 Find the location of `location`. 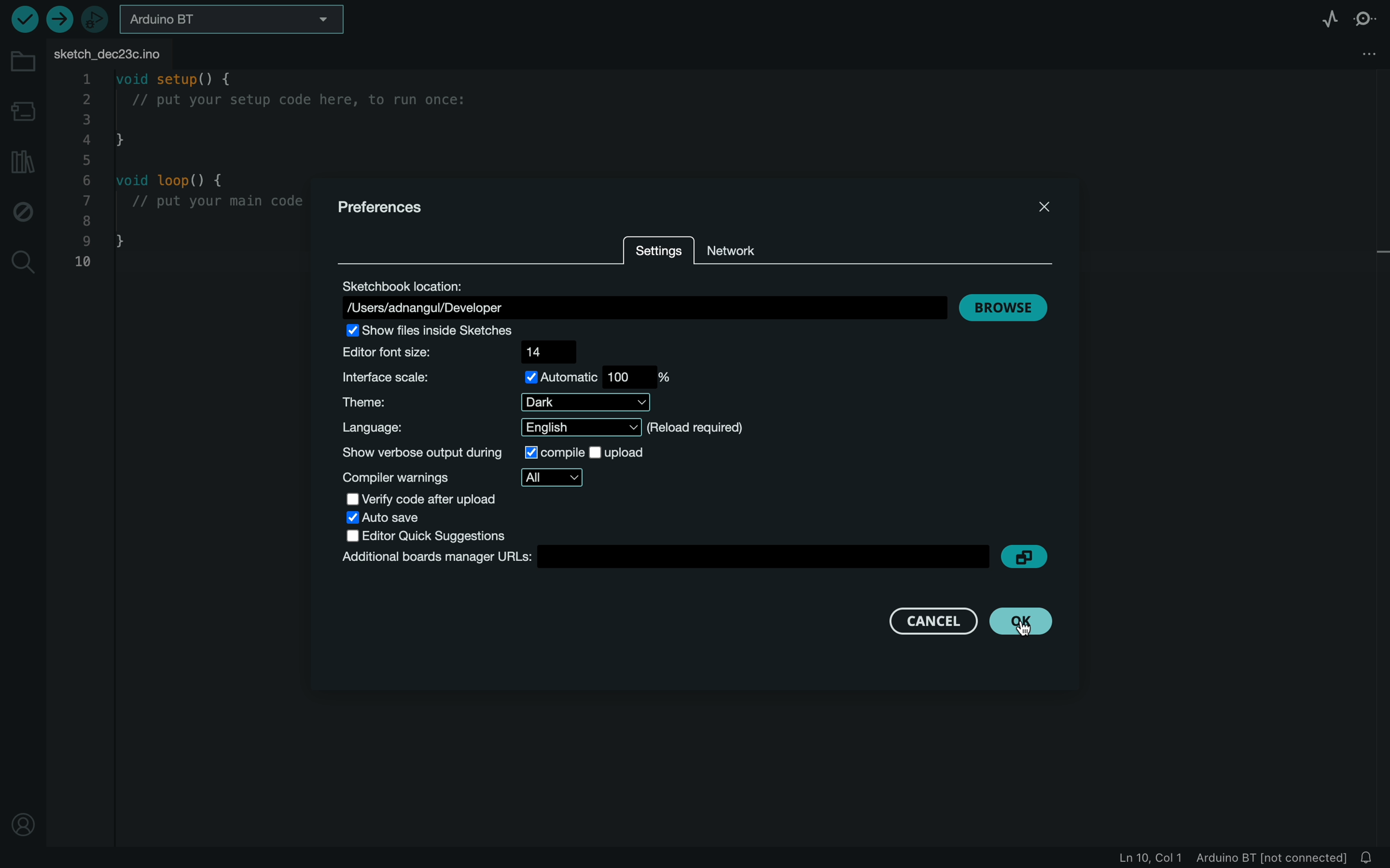

location is located at coordinates (642, 297).